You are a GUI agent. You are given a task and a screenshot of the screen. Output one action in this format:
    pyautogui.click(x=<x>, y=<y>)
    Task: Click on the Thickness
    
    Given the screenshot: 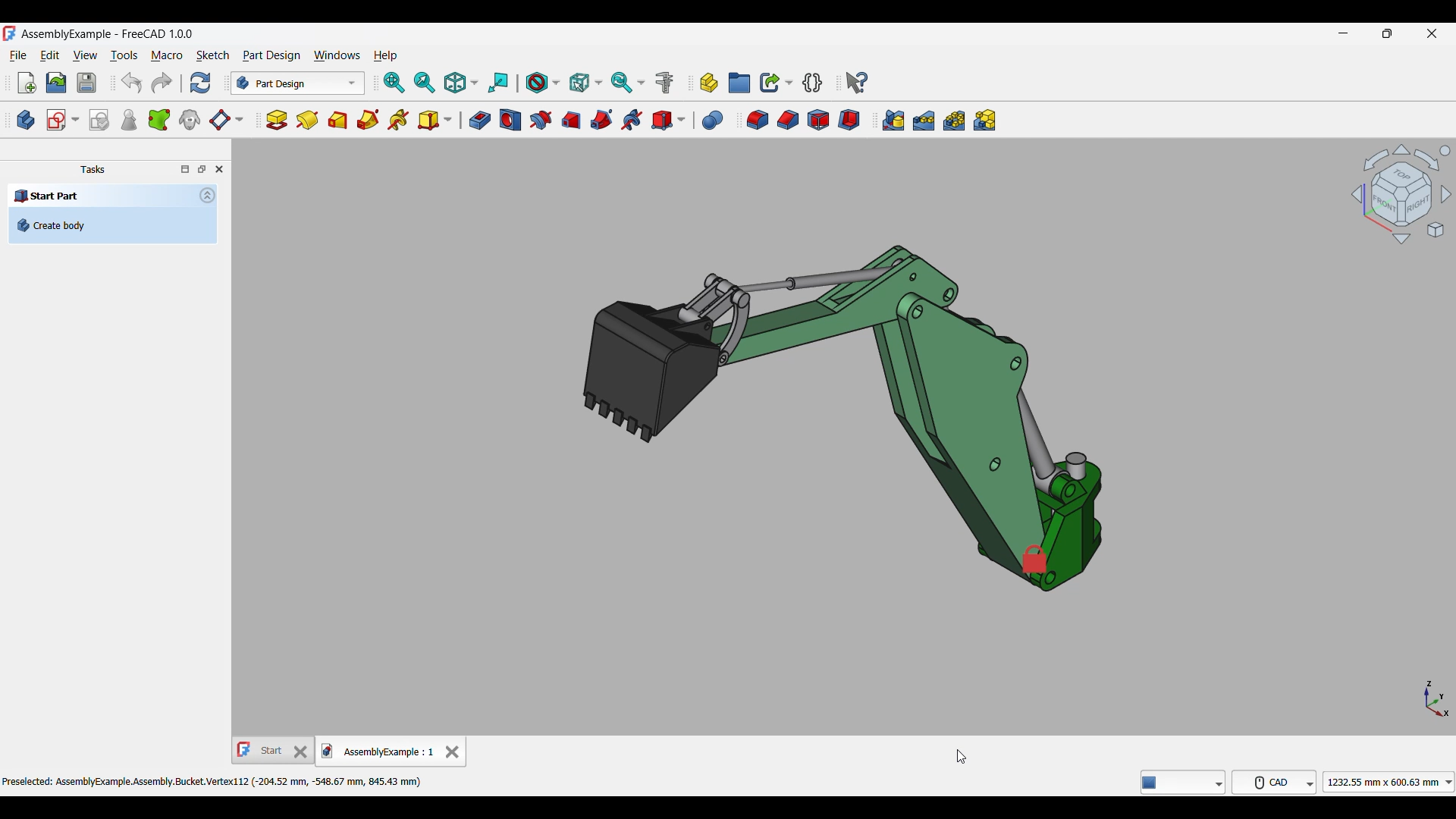 What is the action you would take?
    pyautogui.click(x=849, y=120)
    